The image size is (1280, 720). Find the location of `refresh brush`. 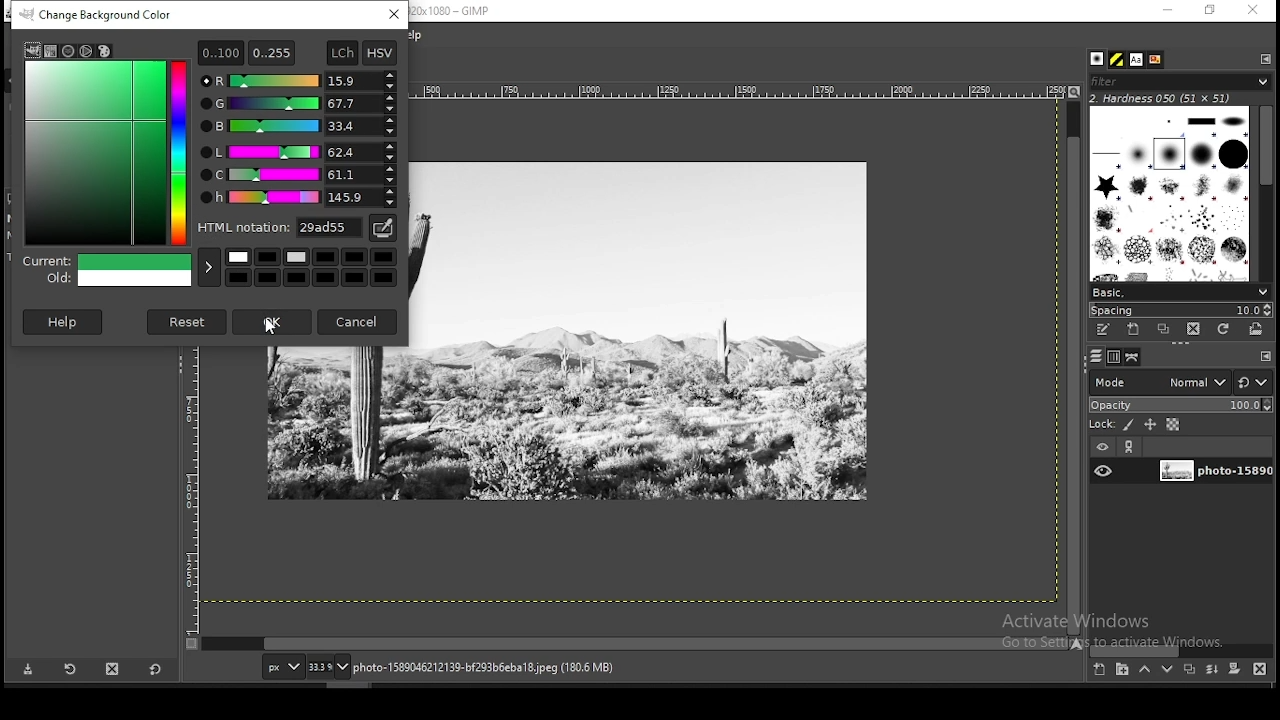

refresh brush is located at coordinates (1223, 329).